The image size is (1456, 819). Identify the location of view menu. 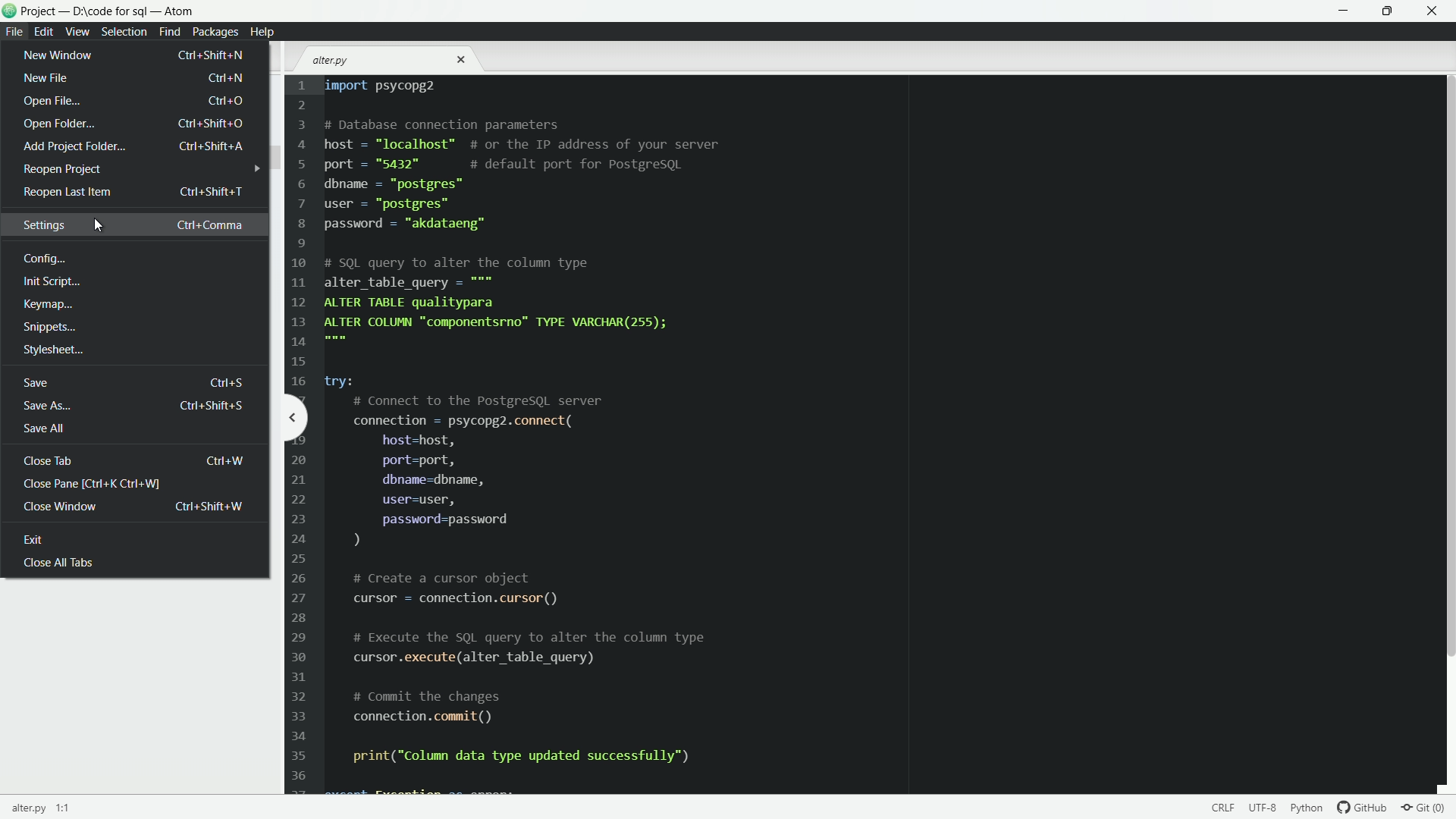
(76, 32).